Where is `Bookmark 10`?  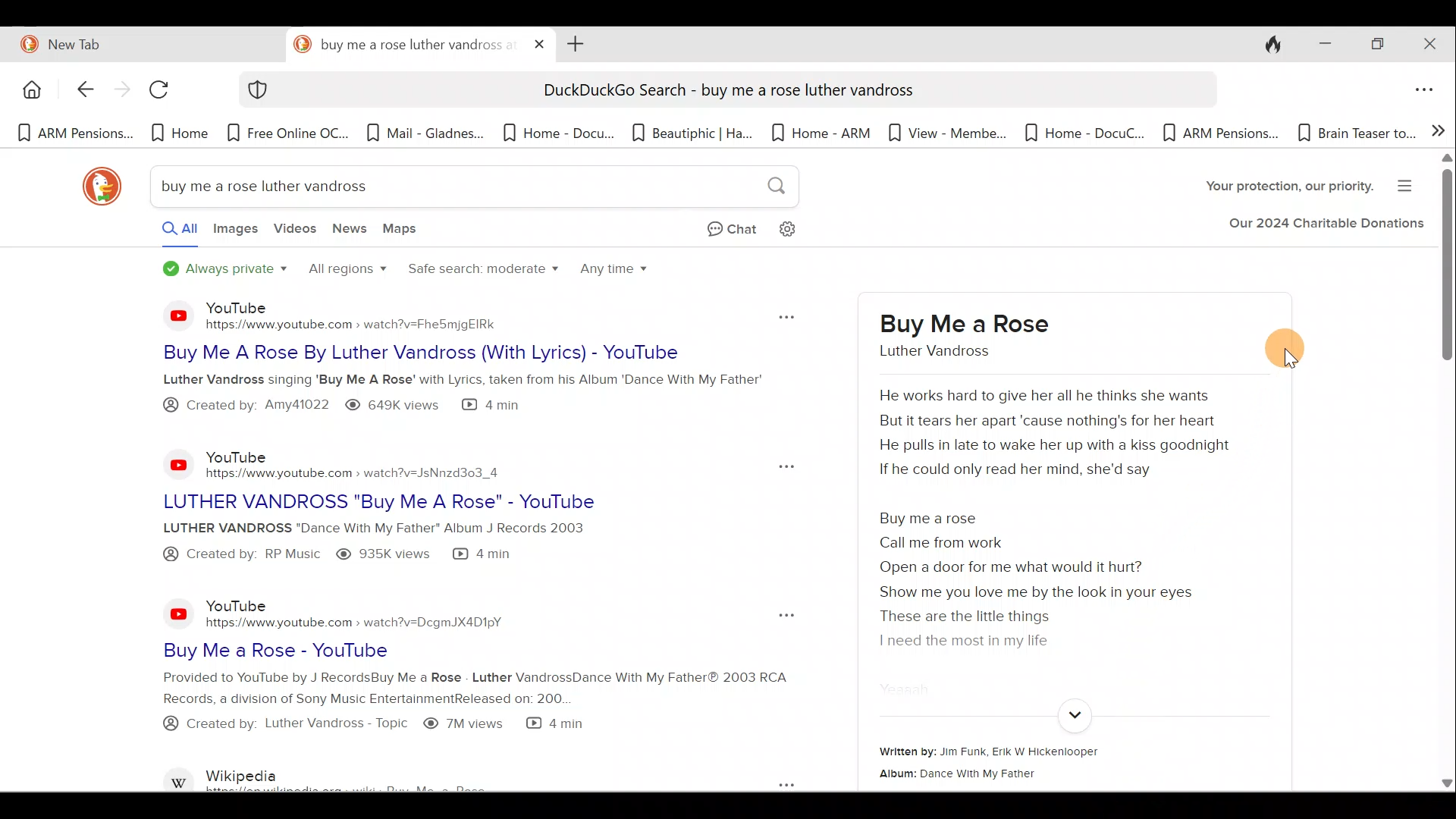
Bookmark 10 is located at coordinates (1221, 134).